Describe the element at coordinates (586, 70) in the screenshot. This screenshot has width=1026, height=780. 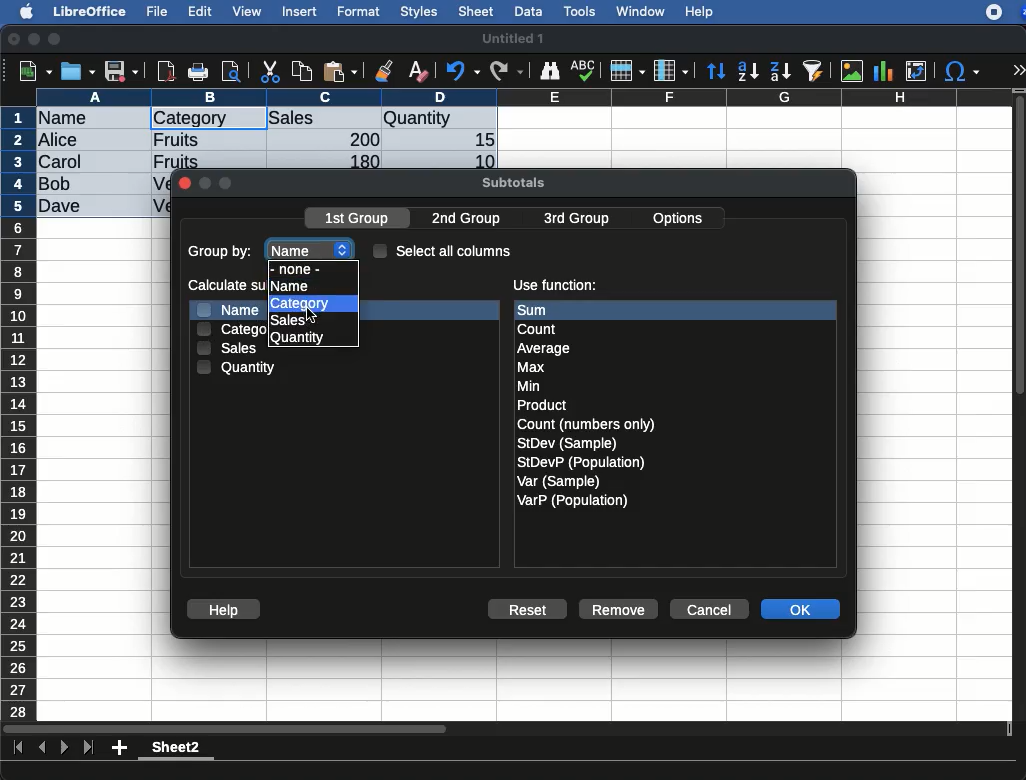
I see `spell check` at that location.